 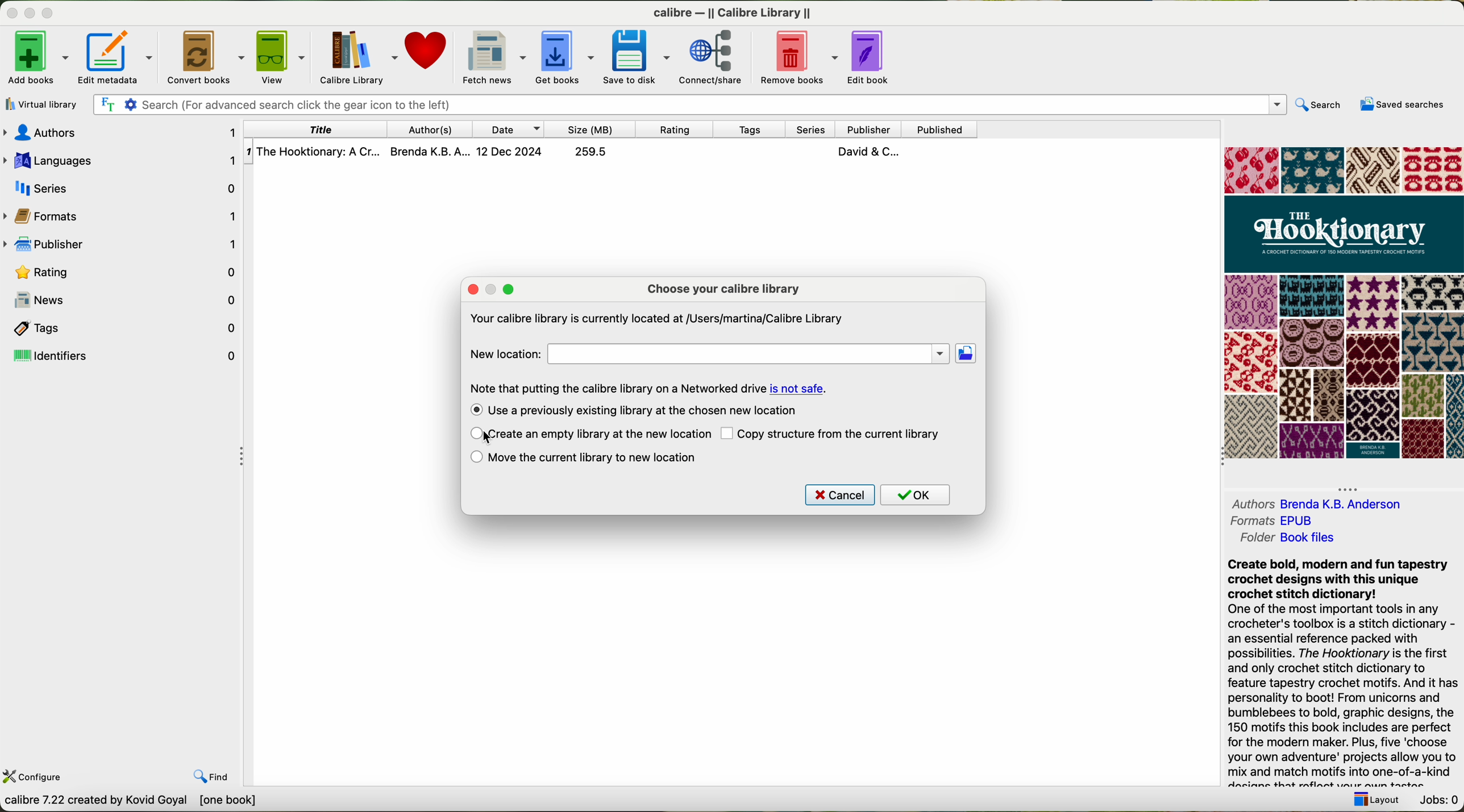 What do you see at coordinates (814, 128) in the screenshot?
I see `series` at bounding box center [814, 128].